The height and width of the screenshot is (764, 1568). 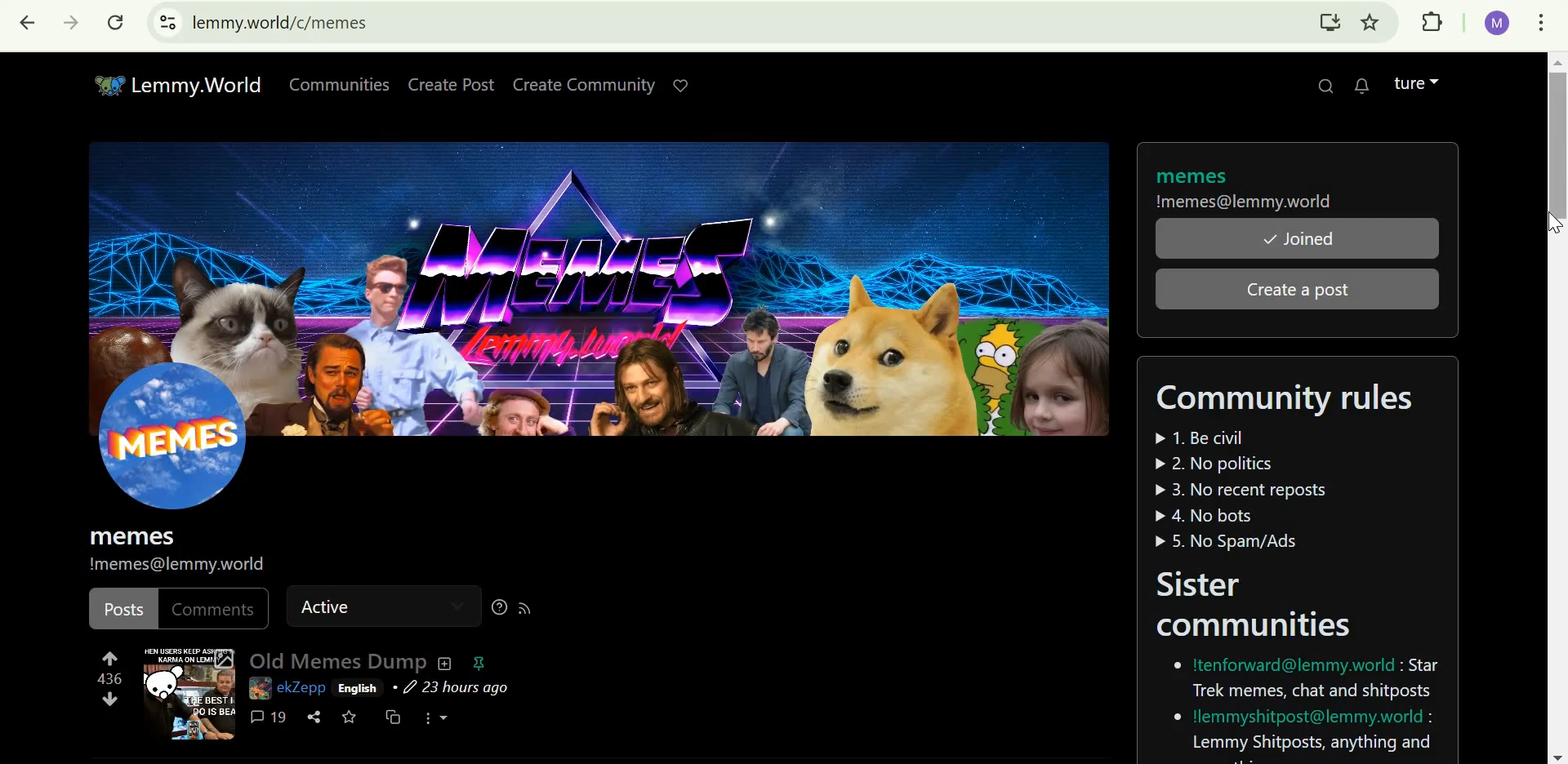 What do you see at coordinates (111, 655) in the screenshot?
I see `upvote` at bounding box center [111, 655].